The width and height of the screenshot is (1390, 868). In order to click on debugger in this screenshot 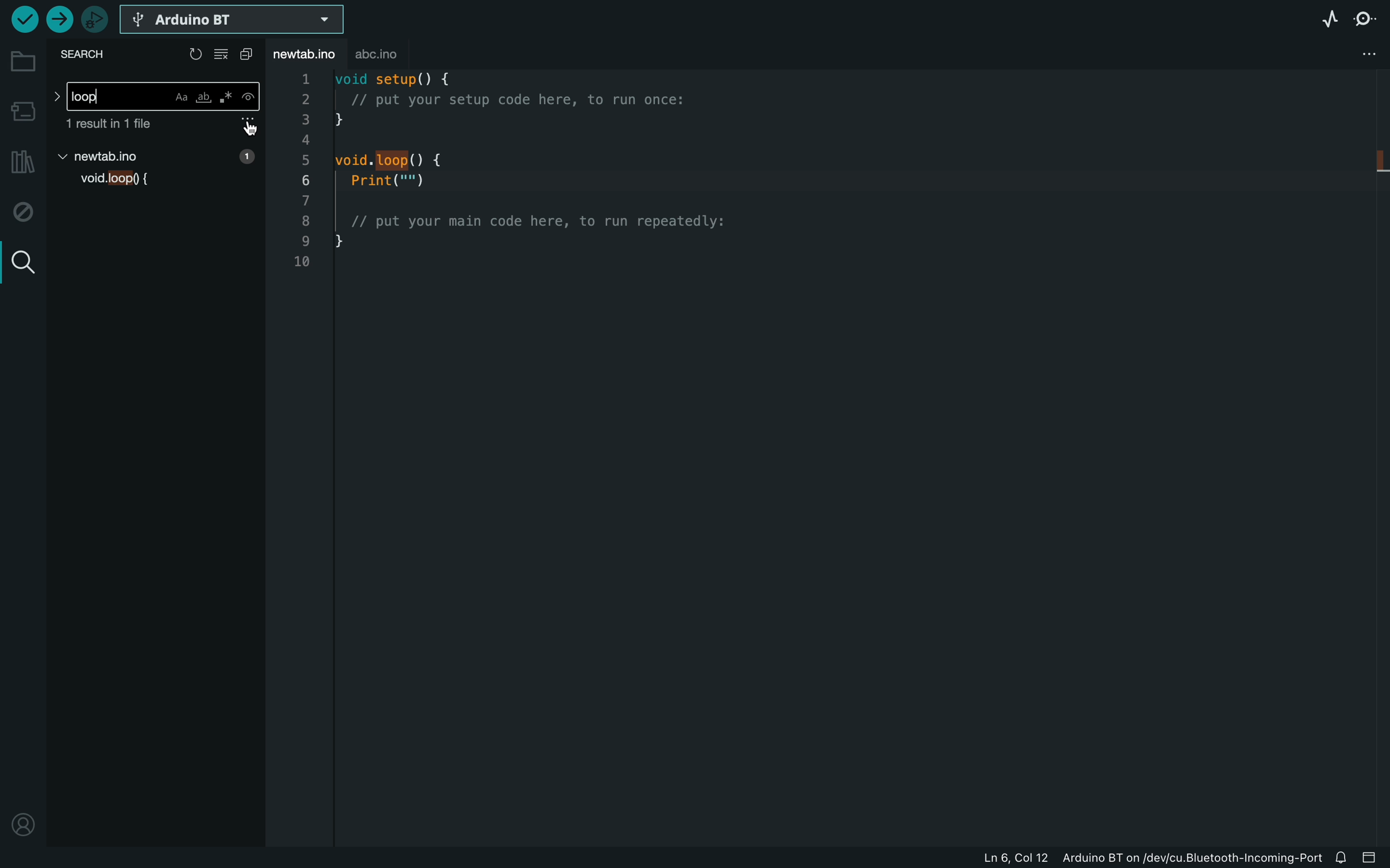, I will do `click(96, 21)`.